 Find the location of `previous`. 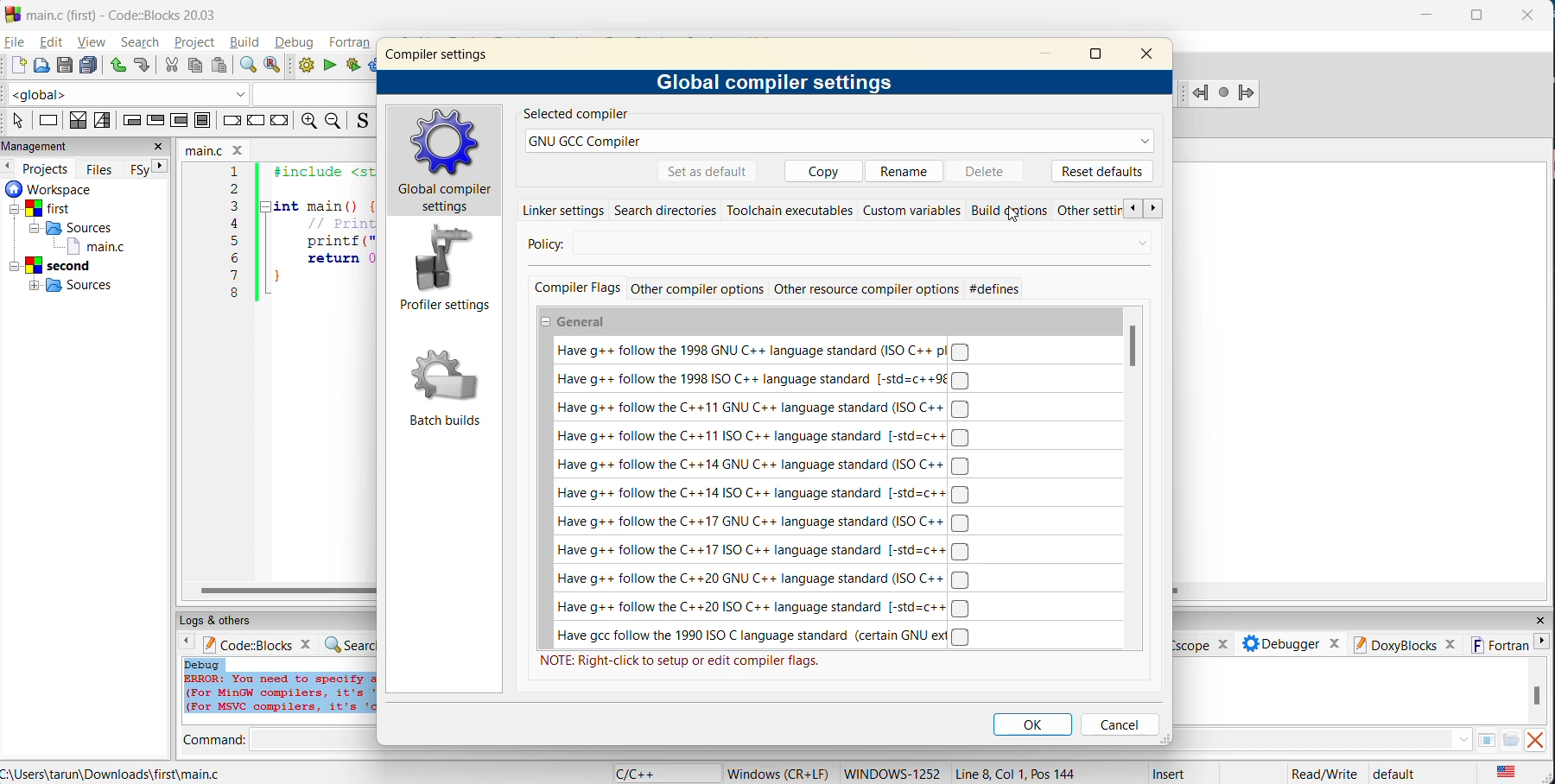

previous is located at coordinates (10, 167).